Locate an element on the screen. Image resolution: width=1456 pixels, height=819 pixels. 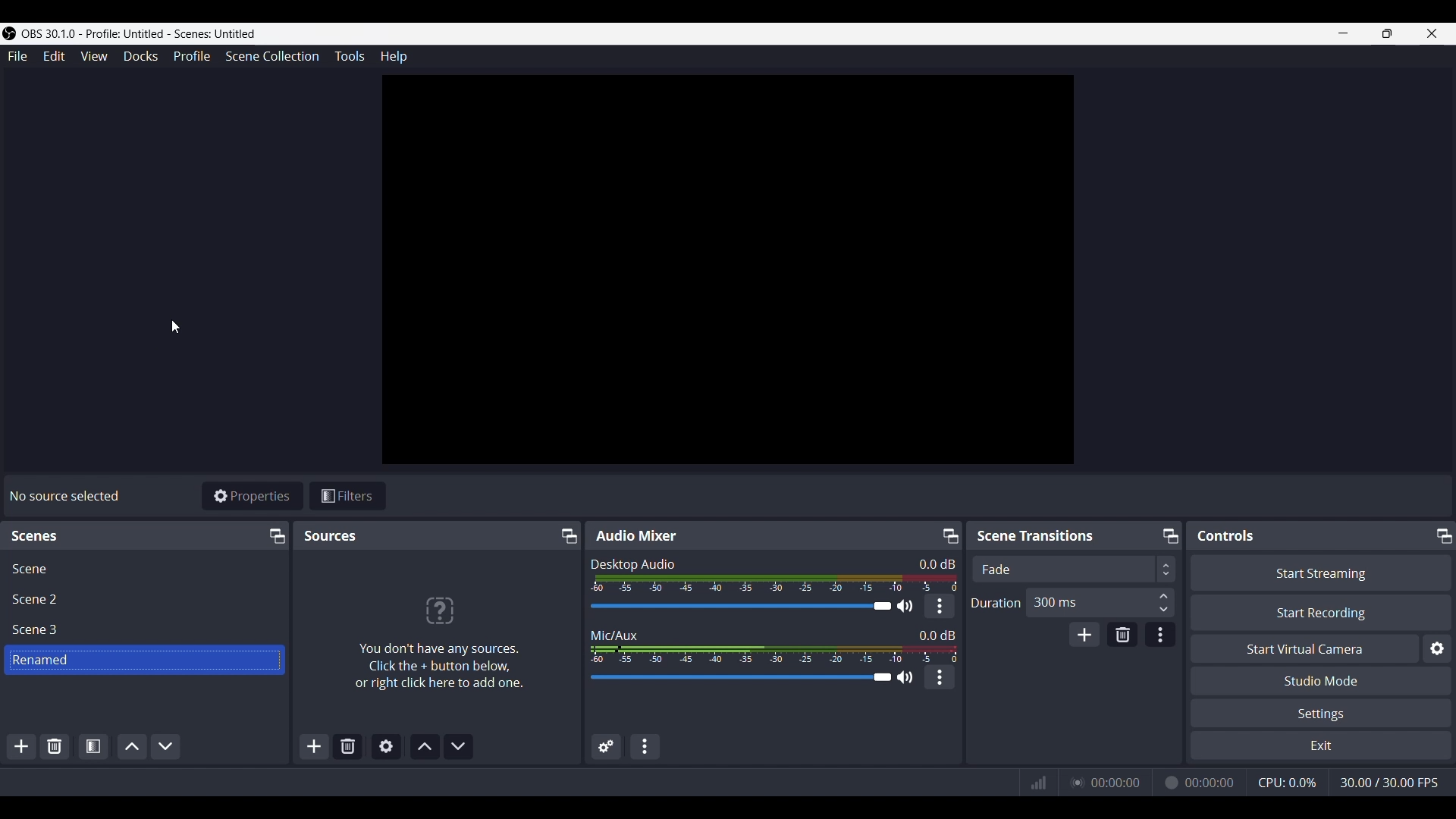
Volume Meter is located at coordinates (773, 654).